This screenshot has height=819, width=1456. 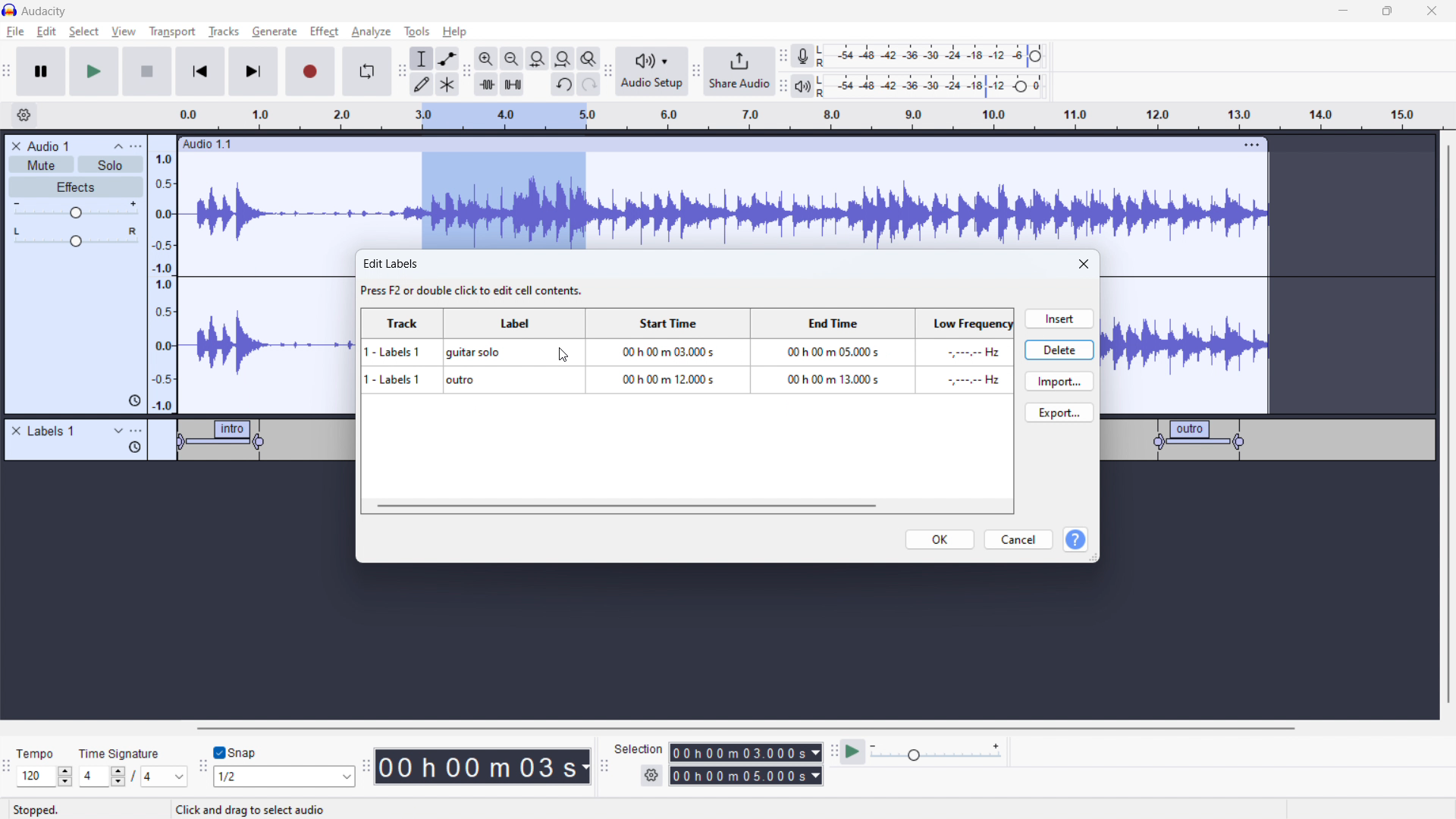 What do you see at coordinates (457, 32) in the screenshot?
I see `help` at bounding box center [457, 32].